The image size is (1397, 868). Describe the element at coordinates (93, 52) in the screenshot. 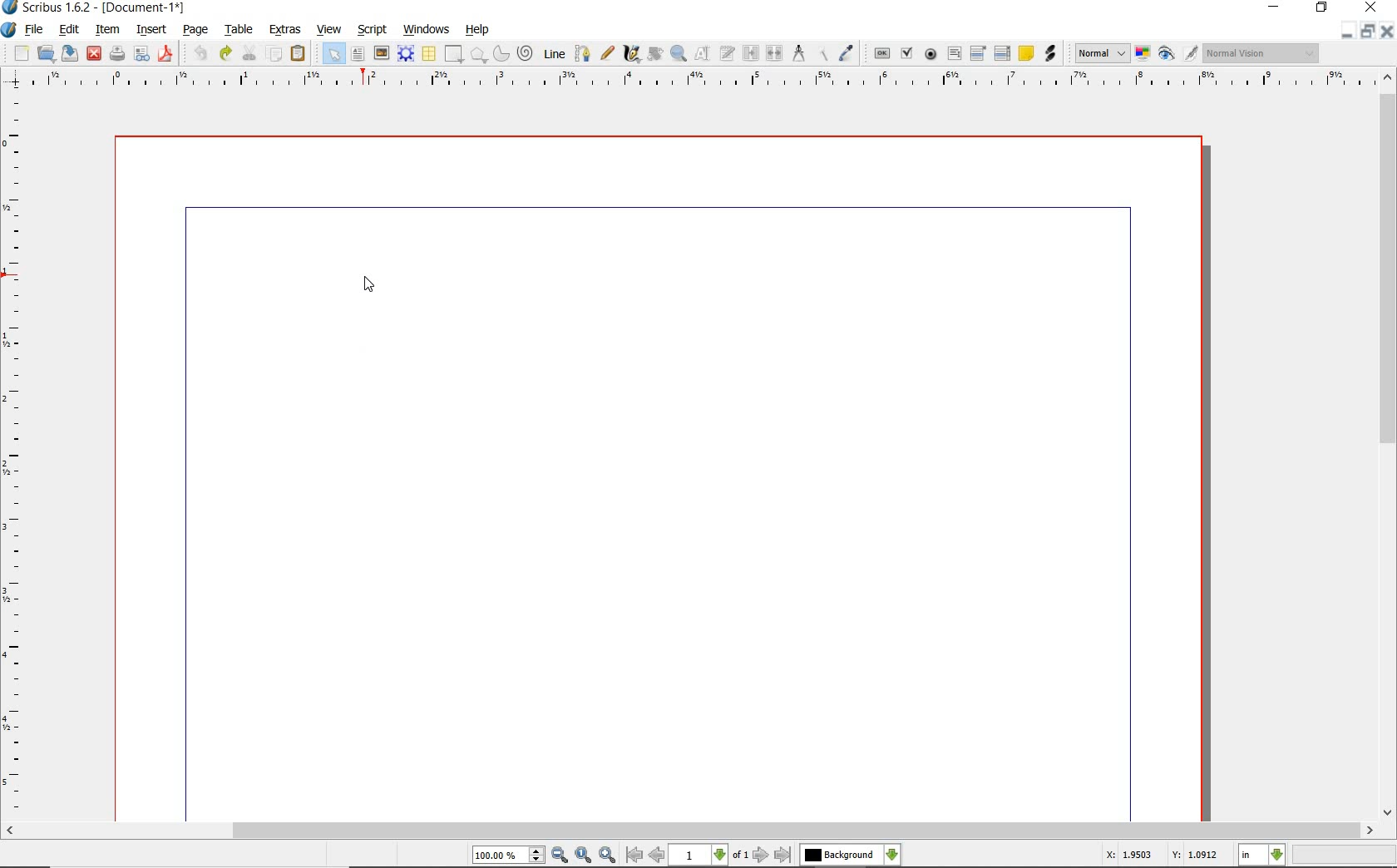

I see `close` at that location.